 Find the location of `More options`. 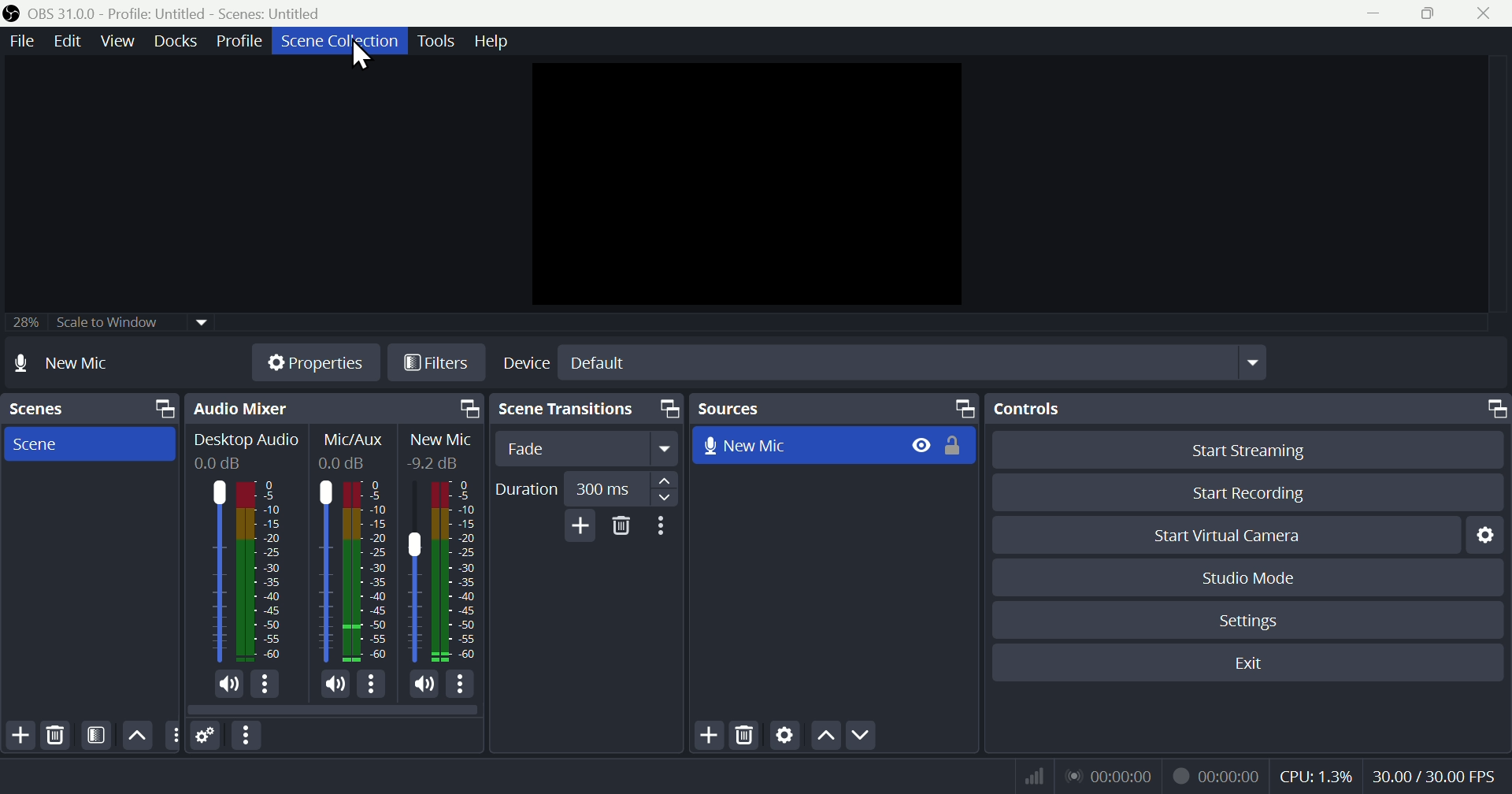

More options is located at coordinates (246, 735).